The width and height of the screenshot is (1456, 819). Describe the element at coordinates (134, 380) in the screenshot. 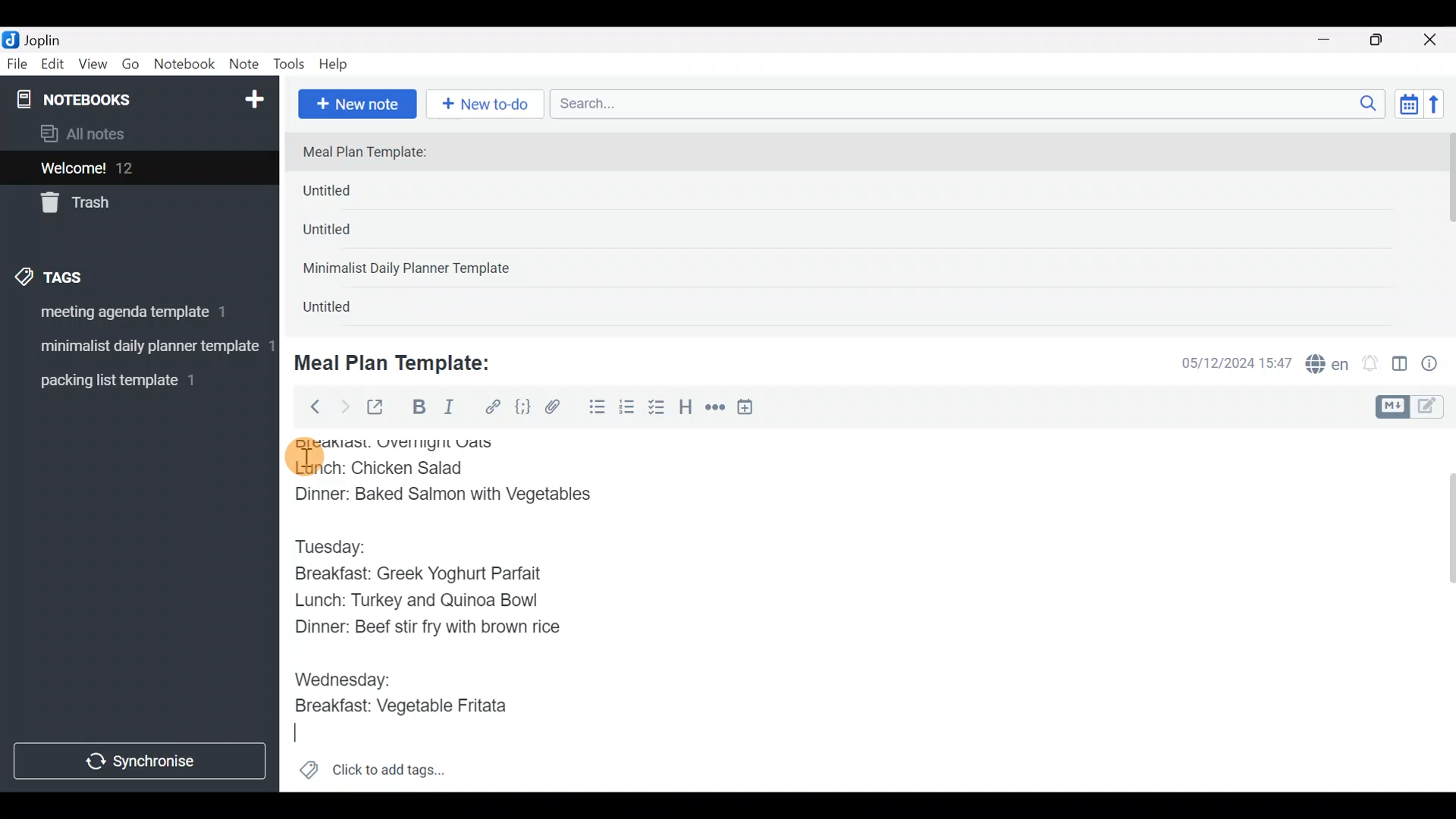

I see `Tag 3` at that location.